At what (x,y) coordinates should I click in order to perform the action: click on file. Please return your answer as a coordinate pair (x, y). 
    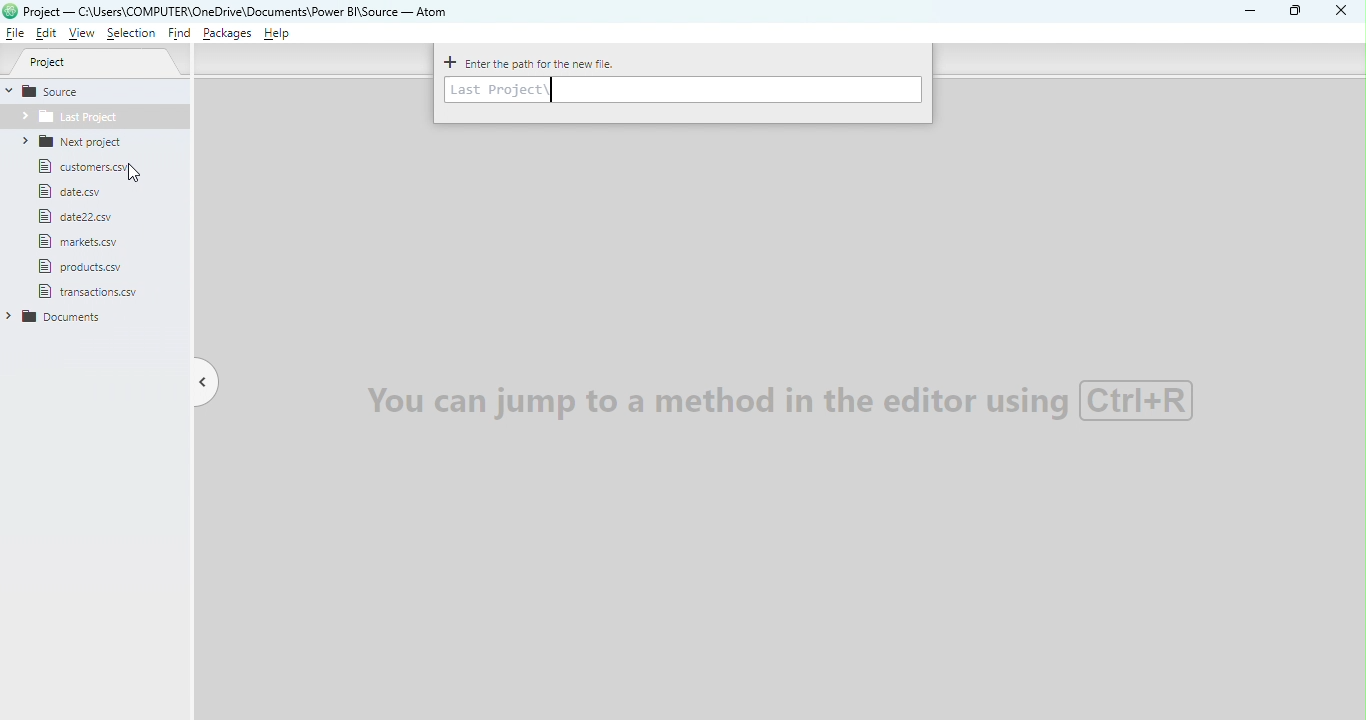
    Looking at the image, I should click on (100, 294).